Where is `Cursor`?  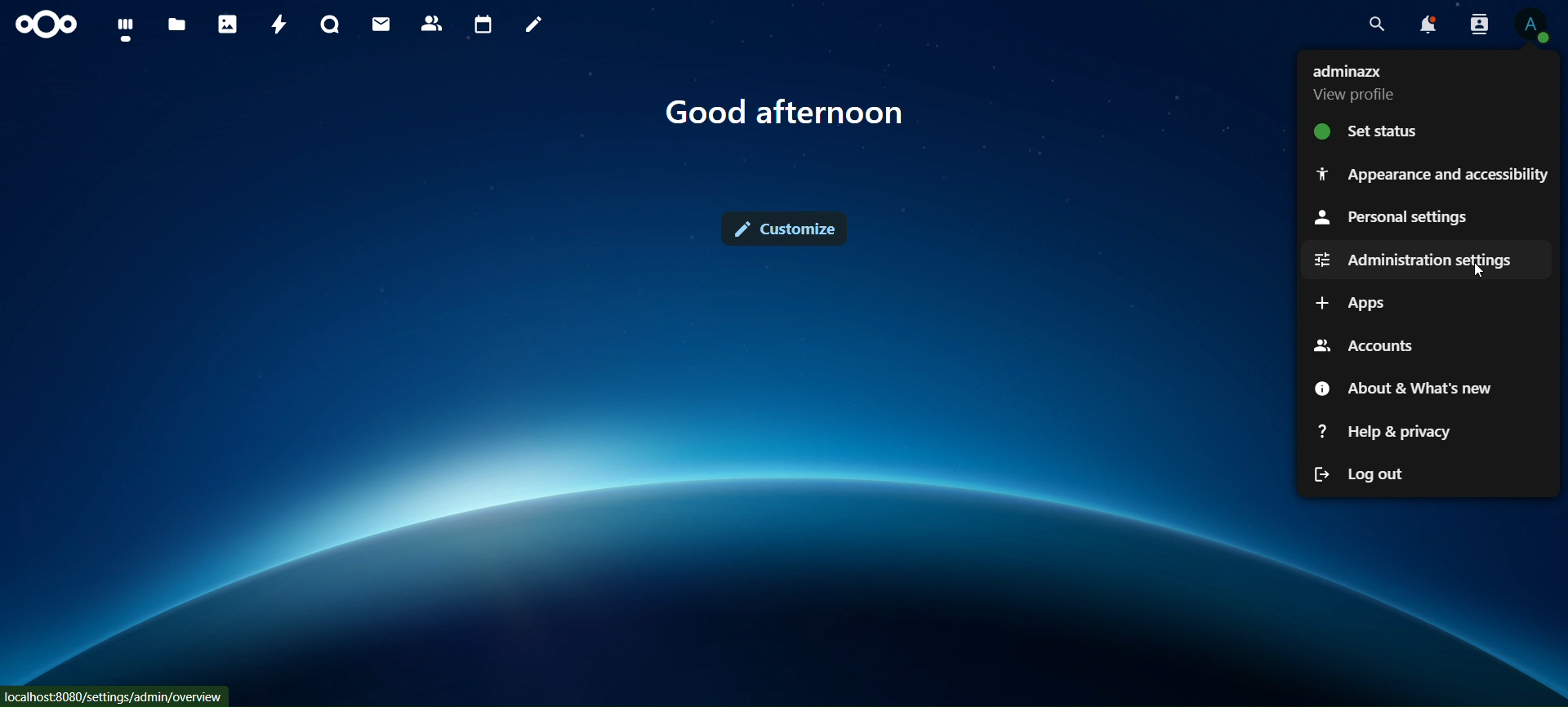 Cursor is located at coordinates (1481, 272).